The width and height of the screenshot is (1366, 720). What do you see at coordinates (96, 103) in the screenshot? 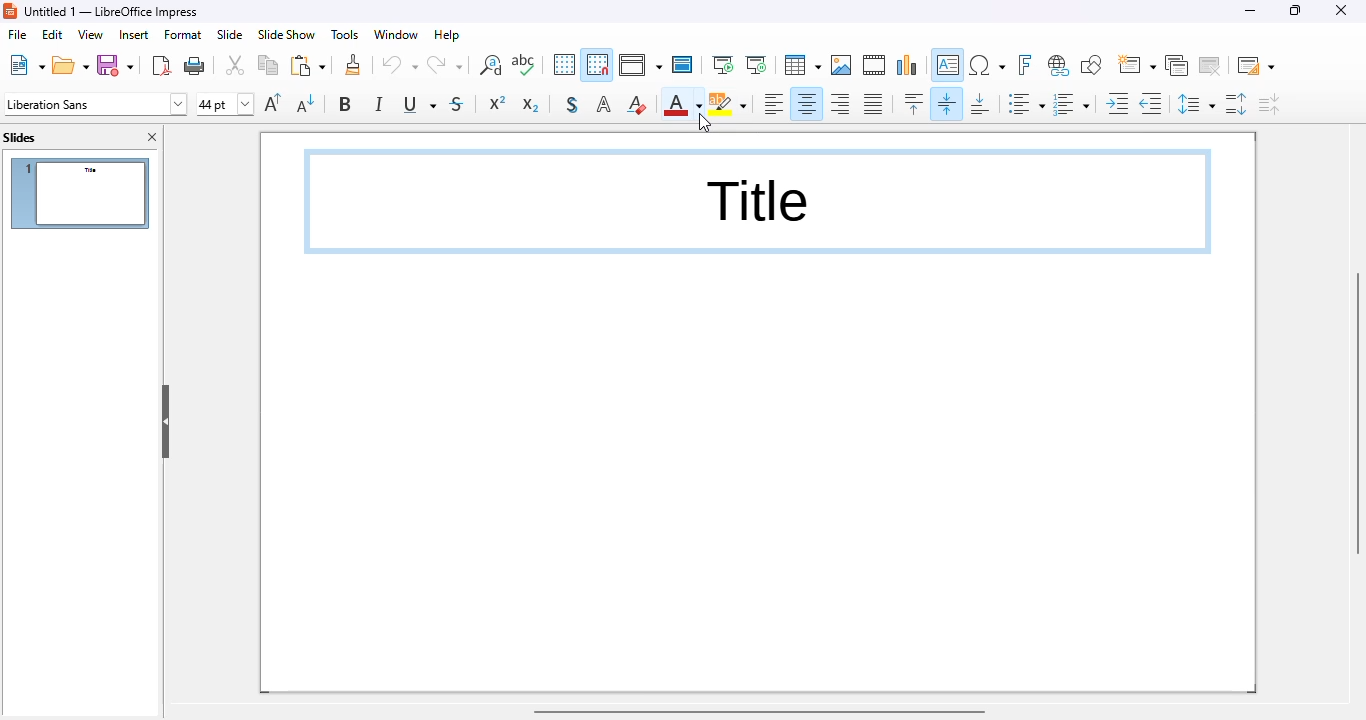
I see `font name` at bounding box center [96, 103].